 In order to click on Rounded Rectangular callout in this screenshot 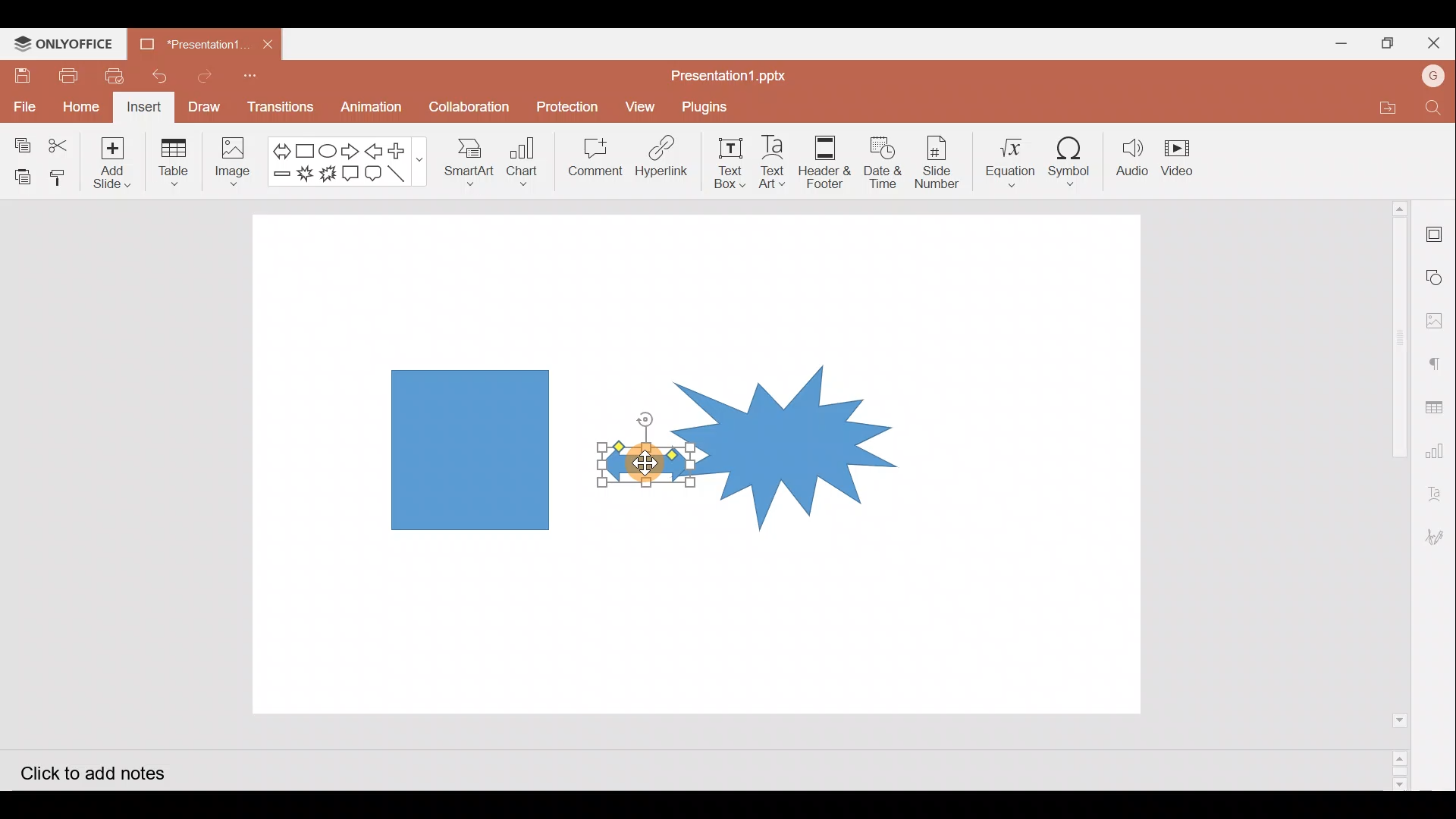, I will do `click(376, 171)`.